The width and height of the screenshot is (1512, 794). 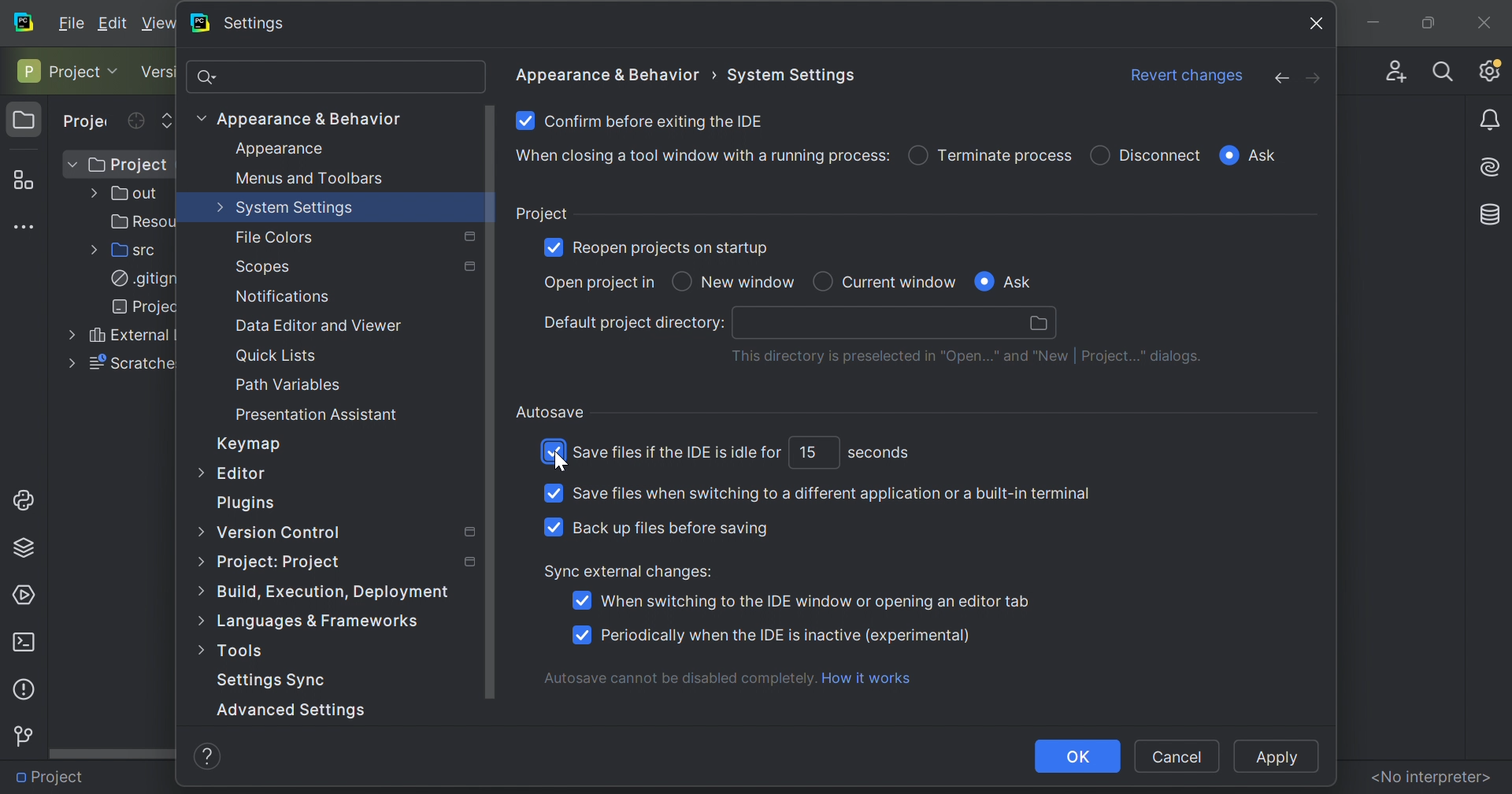 I want to click on Keymap, so click(x=251, y=444).